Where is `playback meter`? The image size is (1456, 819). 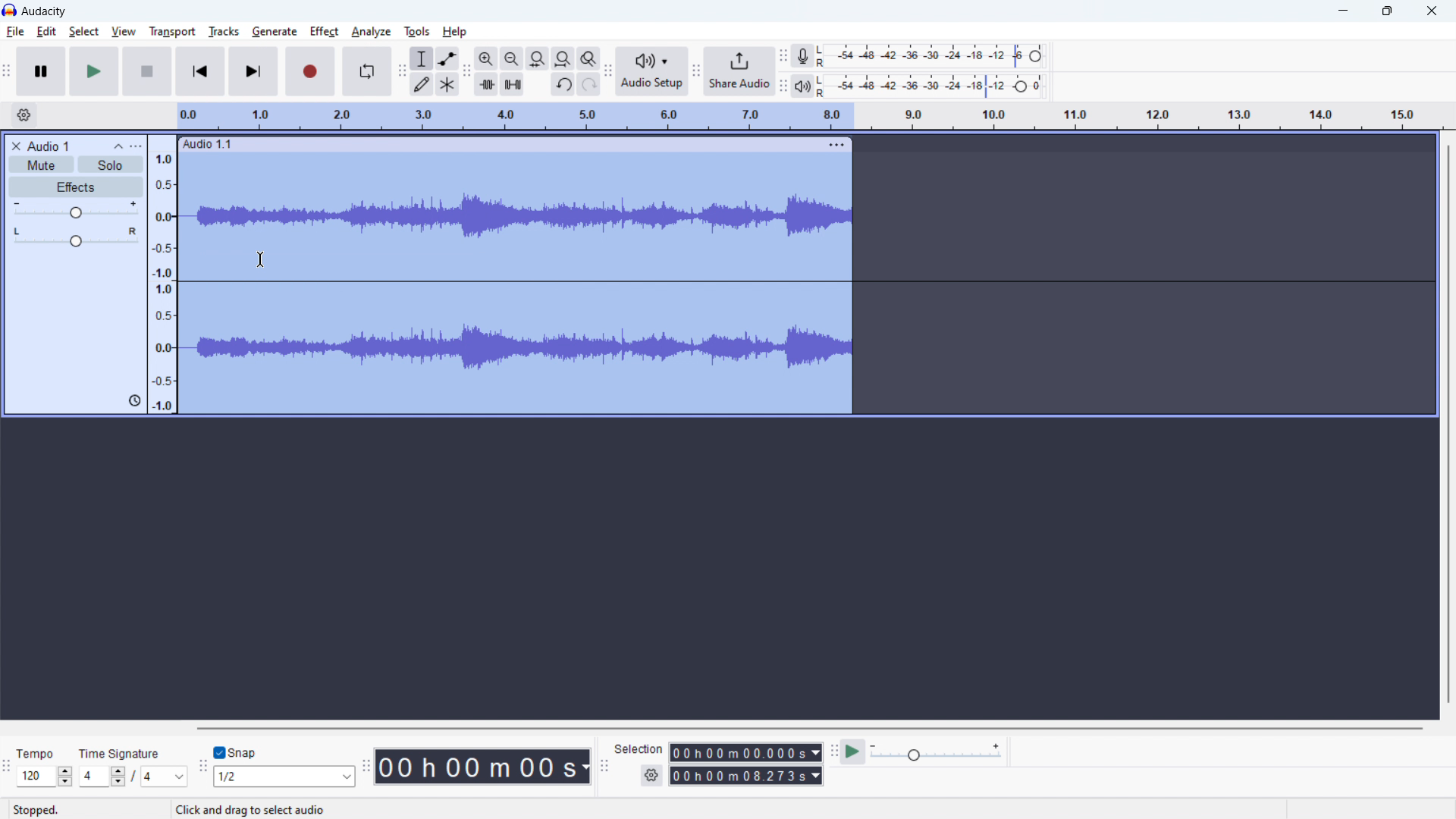
playback meter is located at coordinates (803, 85).